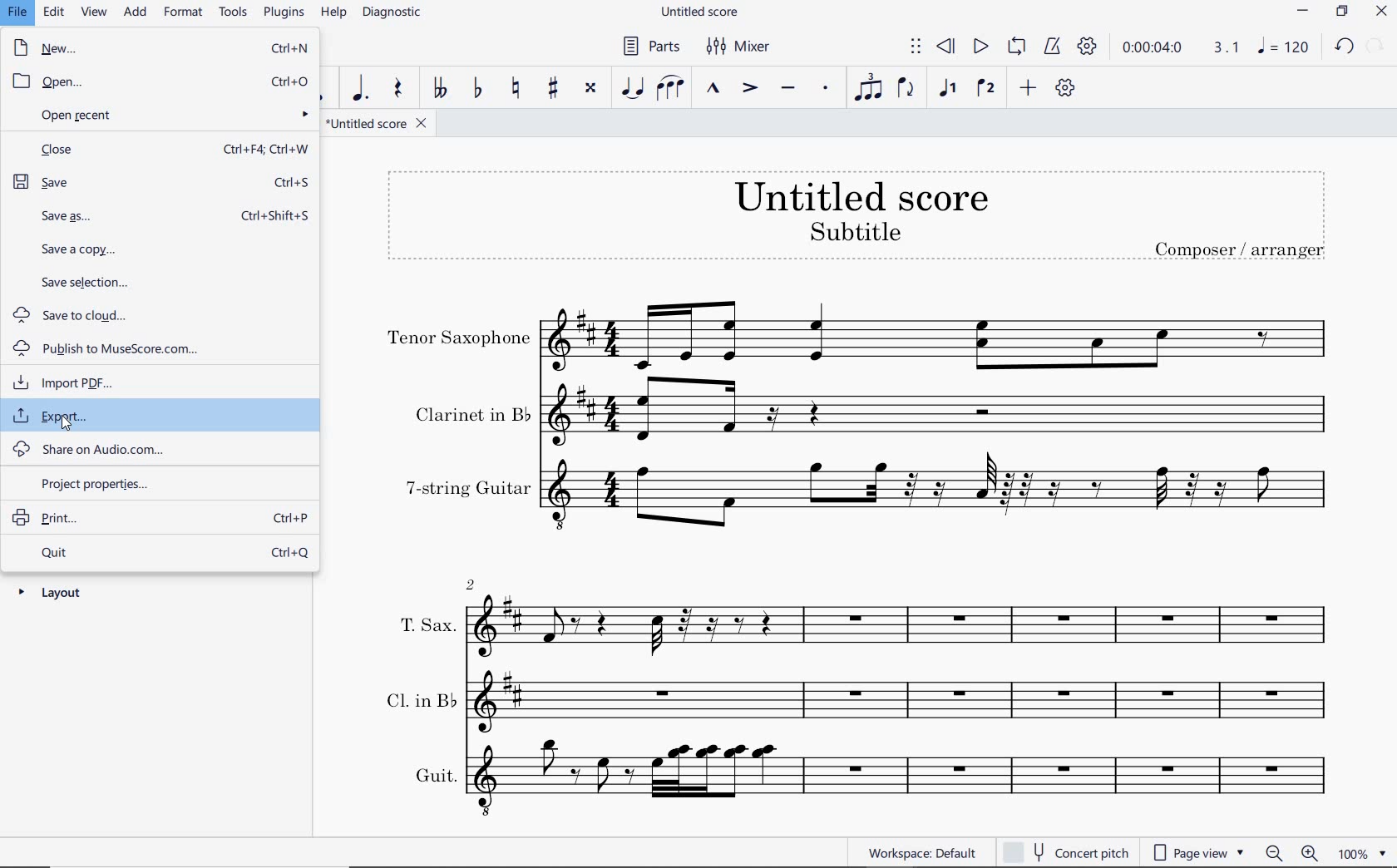 The image size is (1397, 868). What do you see at coordinates (160, 381) in the screenshot?
I see `import pdf` at bounding box center [160, 381].